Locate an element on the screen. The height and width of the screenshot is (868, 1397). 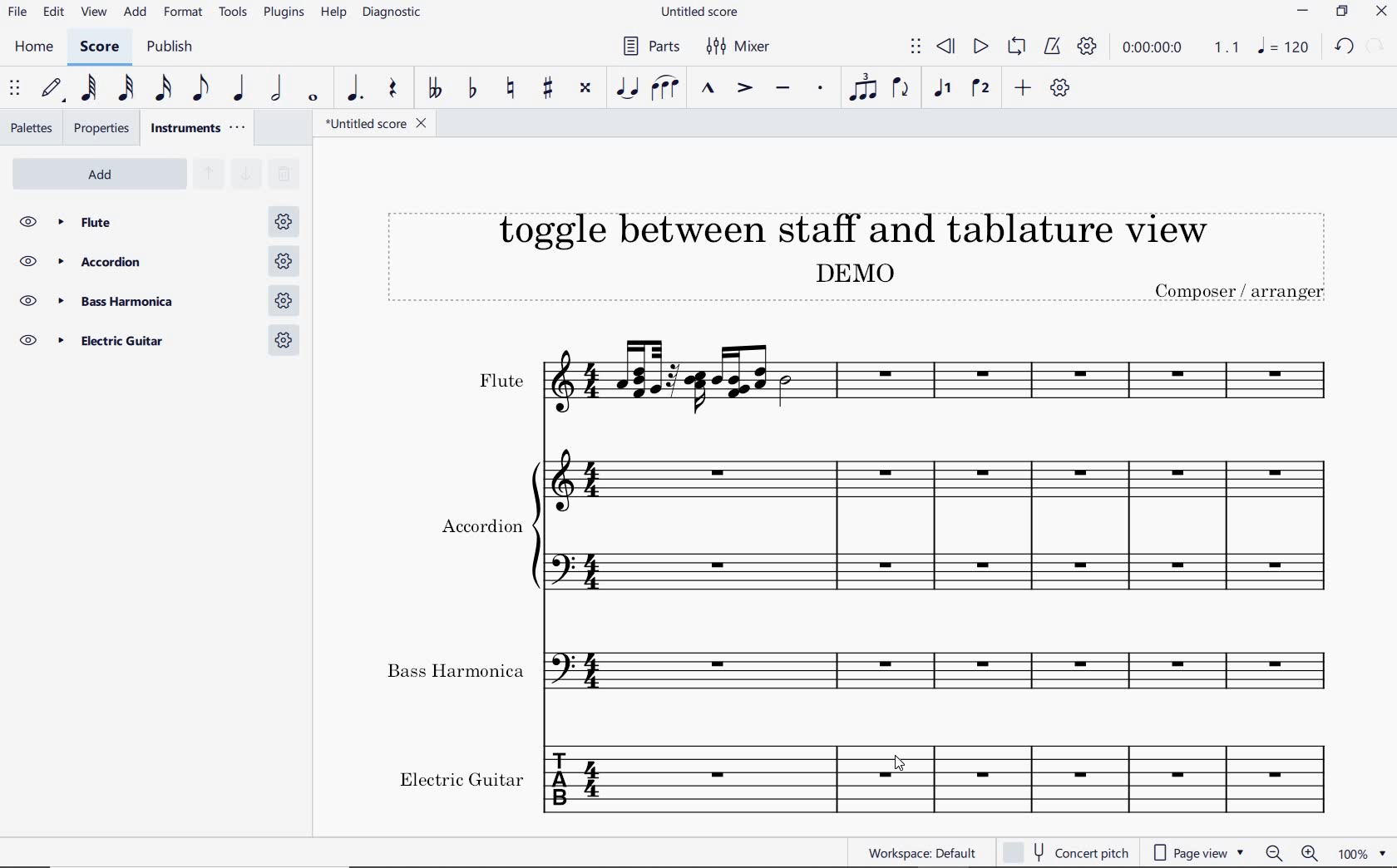
UNDO is located at coordinates (1345, 49).